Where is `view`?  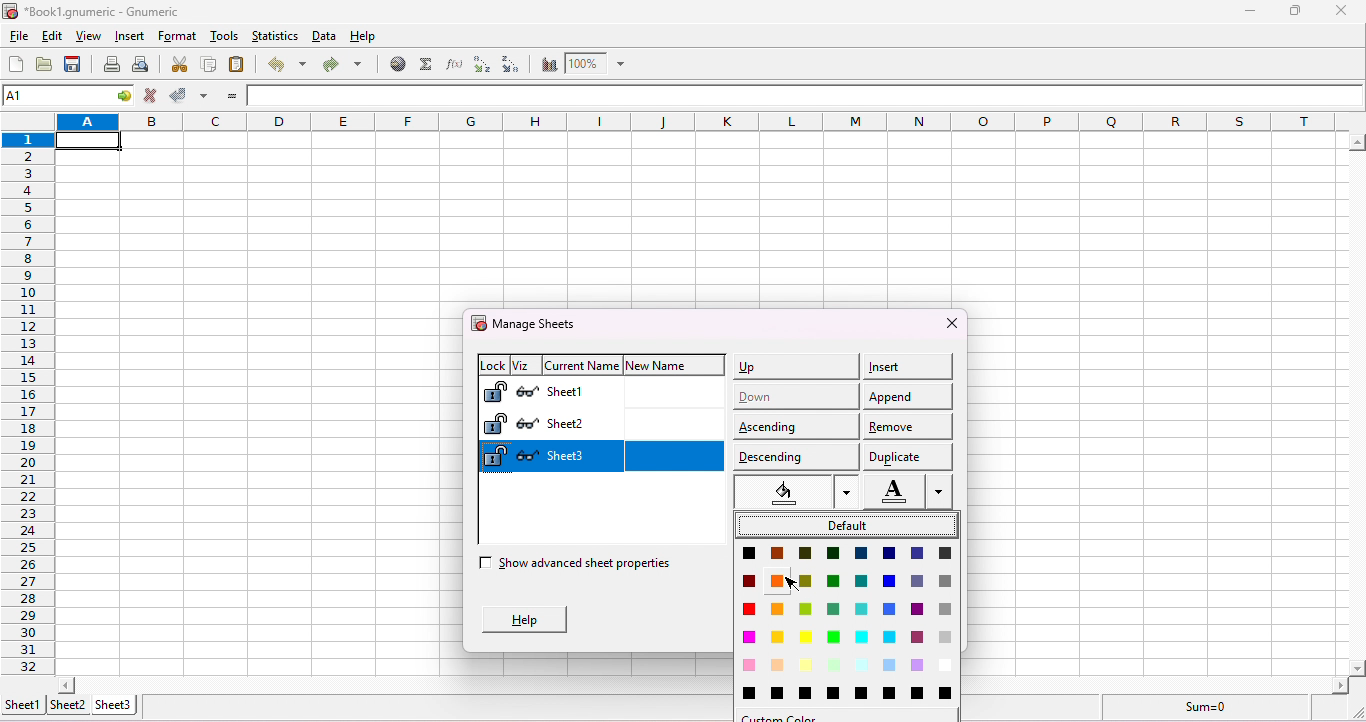 view is located at coordinates (87, 36).